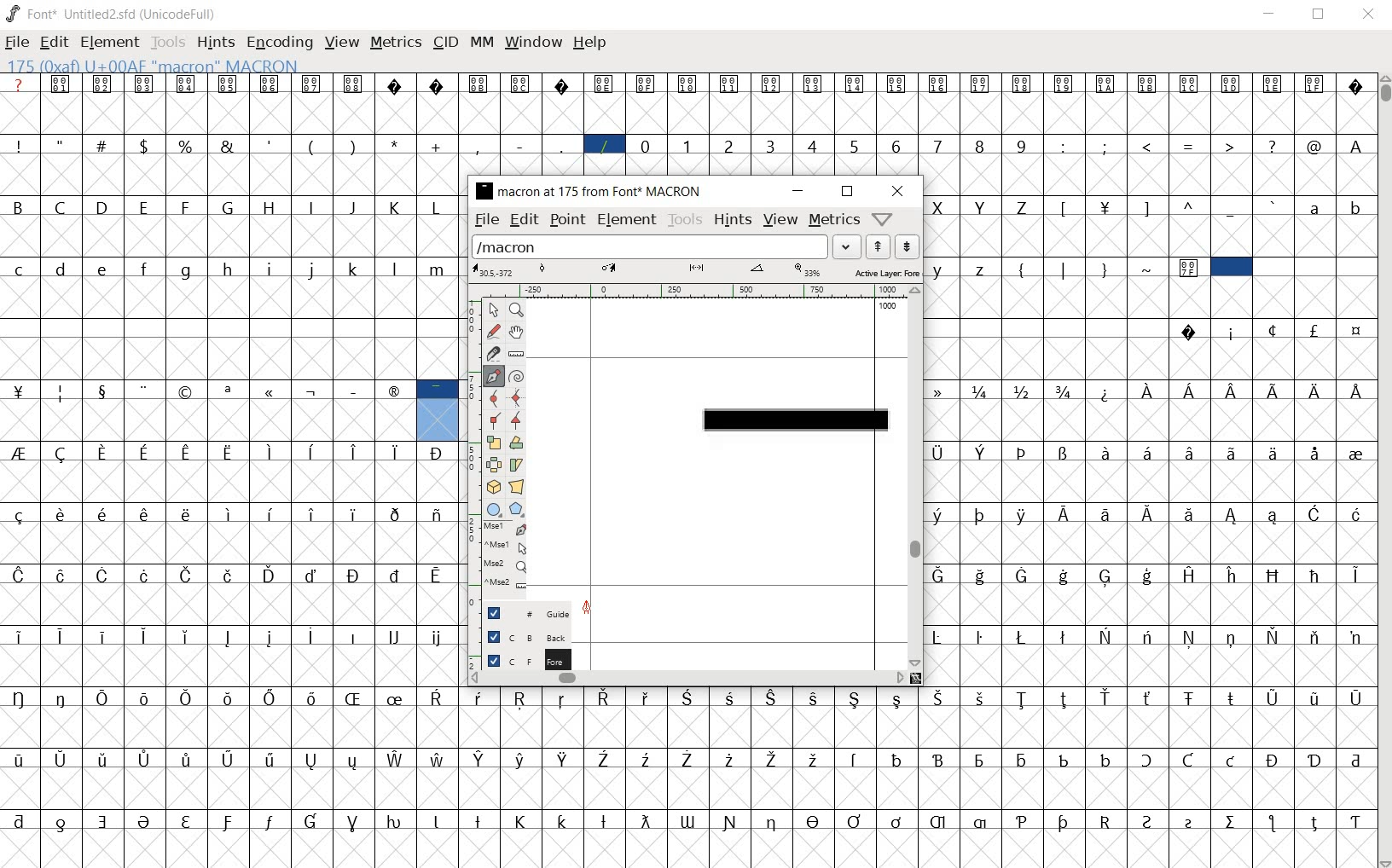 The width and height of the screenshot is (1392, 868). I want to click on Symbol, so click(939, 451).